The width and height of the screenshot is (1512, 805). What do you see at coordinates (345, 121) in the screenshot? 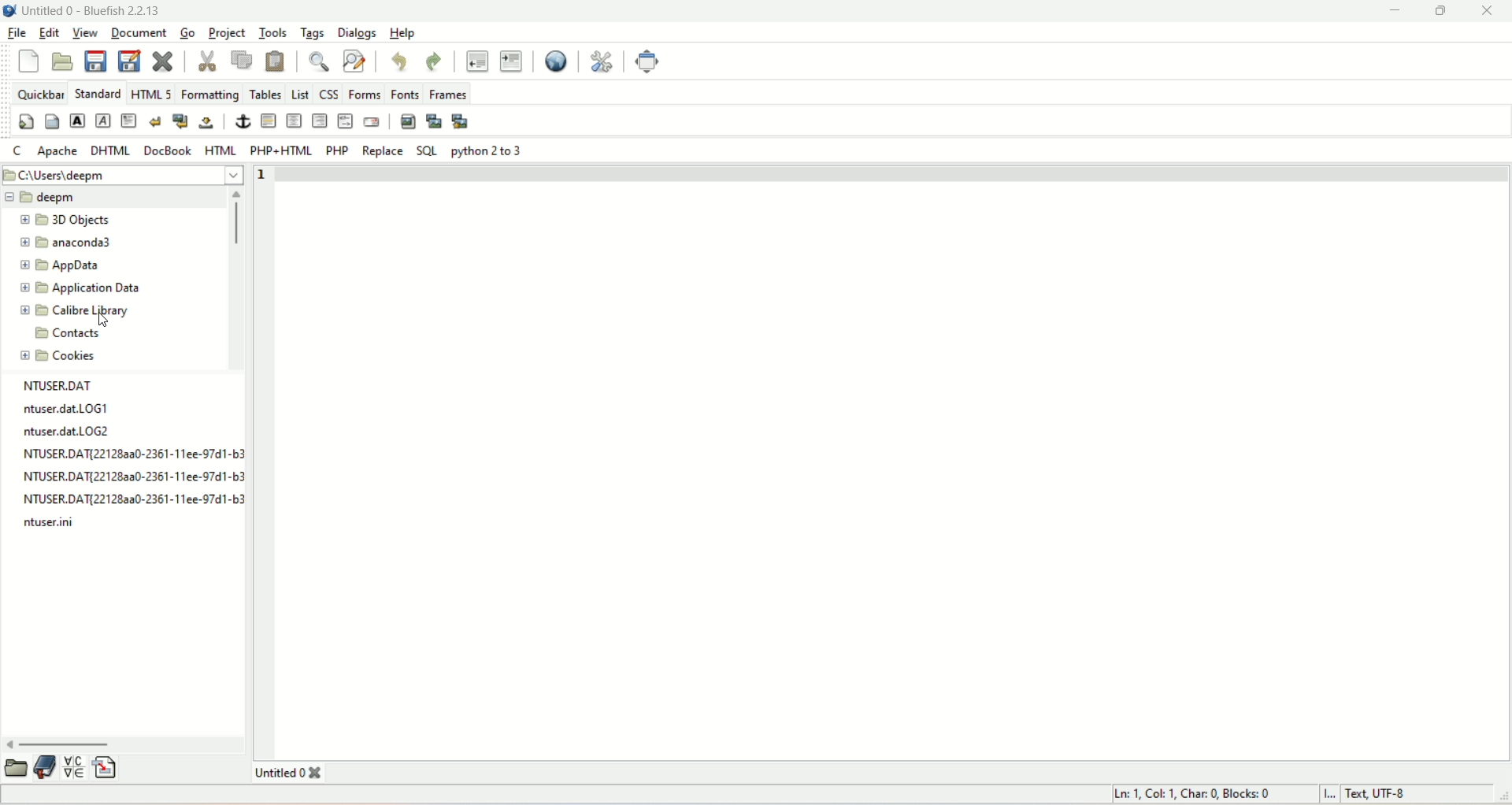
I see `HTML comment` at bounding box center [345, 121].